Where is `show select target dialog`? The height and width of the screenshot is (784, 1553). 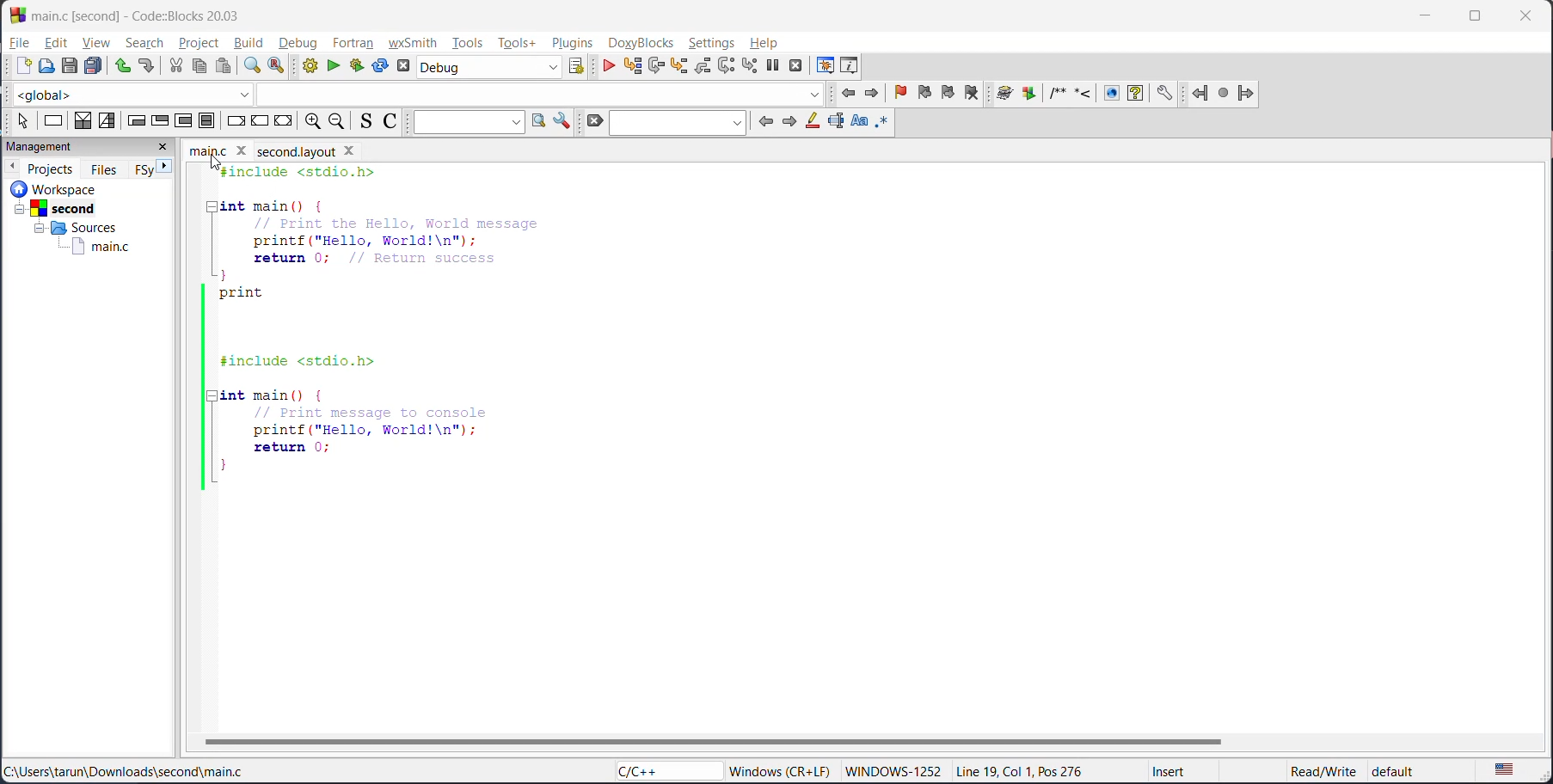 show select target dialog is located at coordinates (581, 68).